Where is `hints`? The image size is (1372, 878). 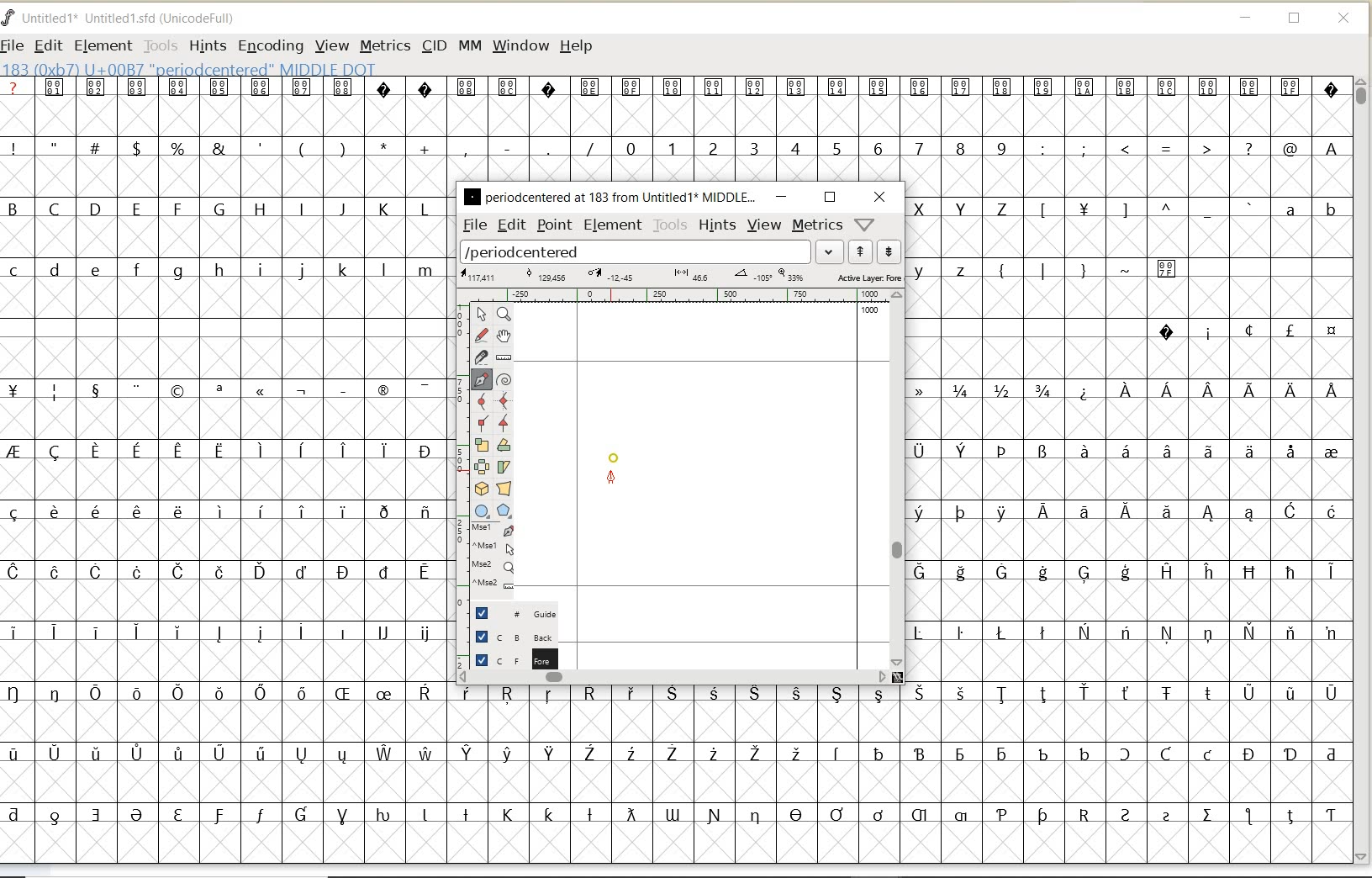 hints is located at coordinates (718, 225).